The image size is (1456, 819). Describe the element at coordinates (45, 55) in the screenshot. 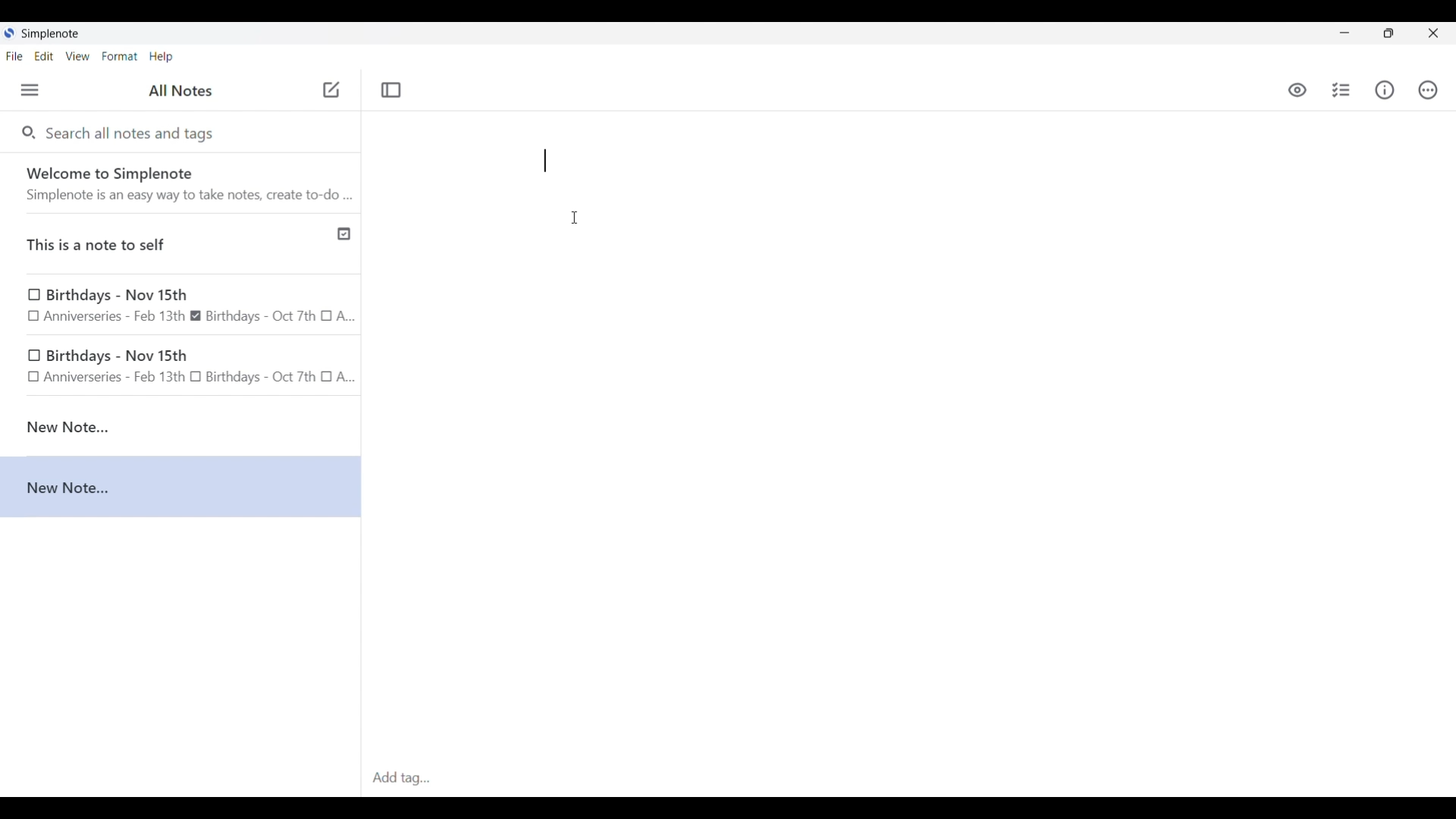

I see `Edit menu` at that location.